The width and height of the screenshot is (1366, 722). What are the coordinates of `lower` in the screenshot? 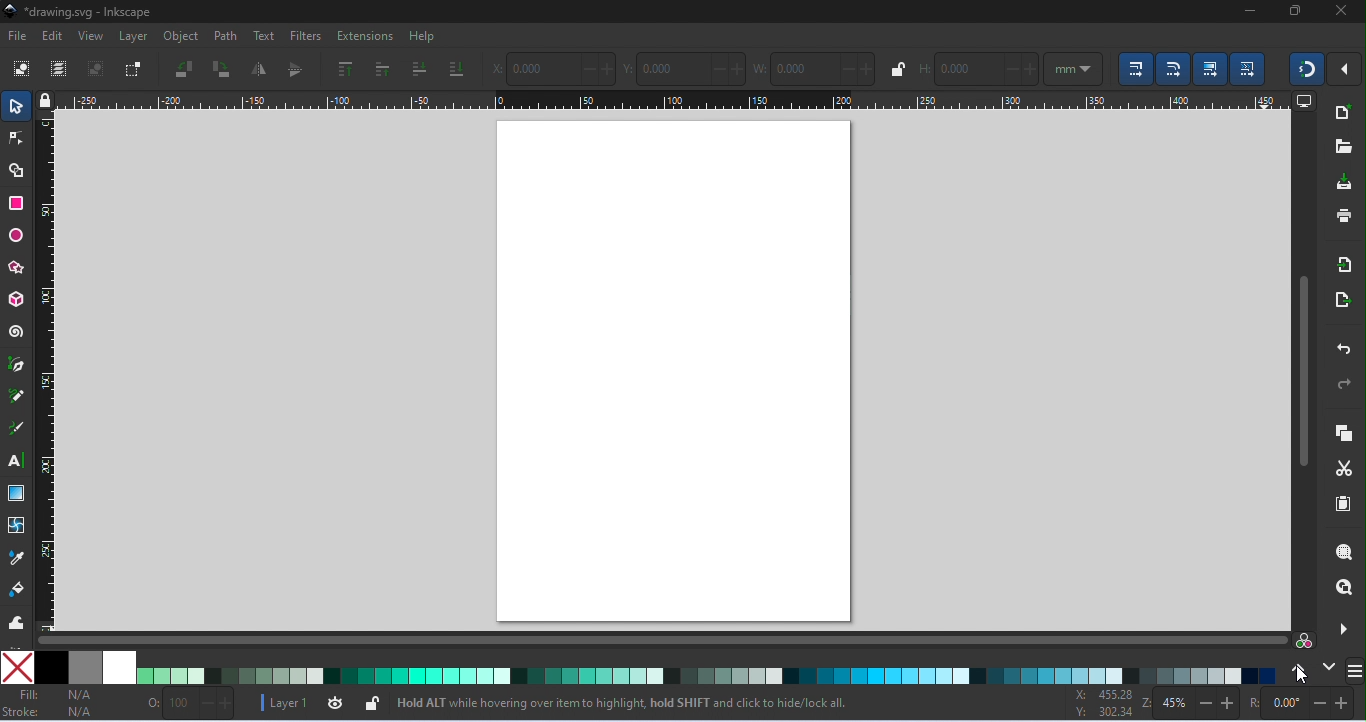 It's located at (419, 69).